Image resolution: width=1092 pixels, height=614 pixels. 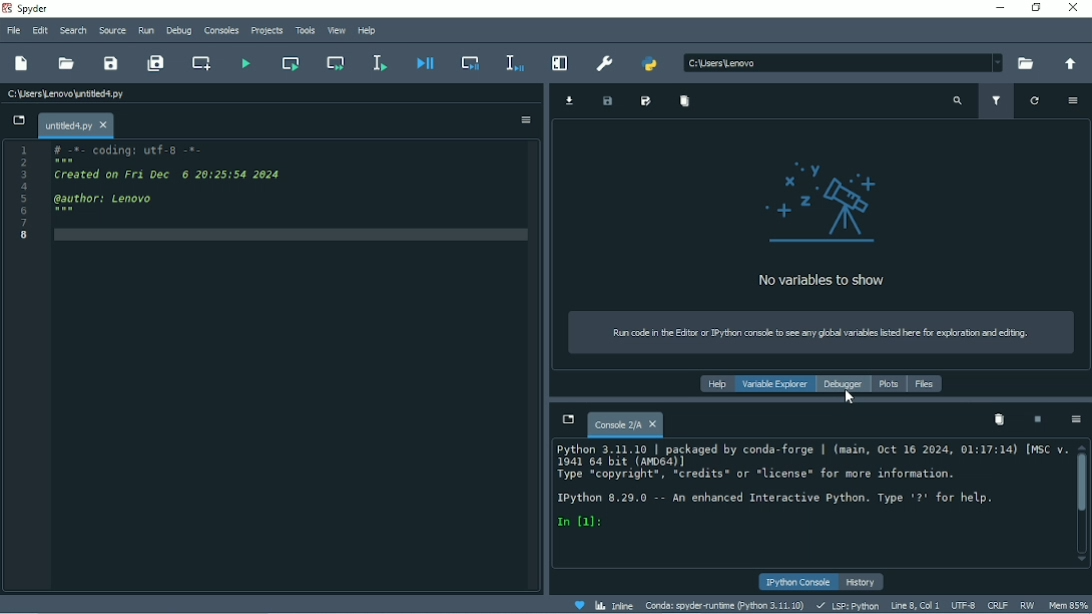 I want to click on Spyder, so click(x=31, y=8).